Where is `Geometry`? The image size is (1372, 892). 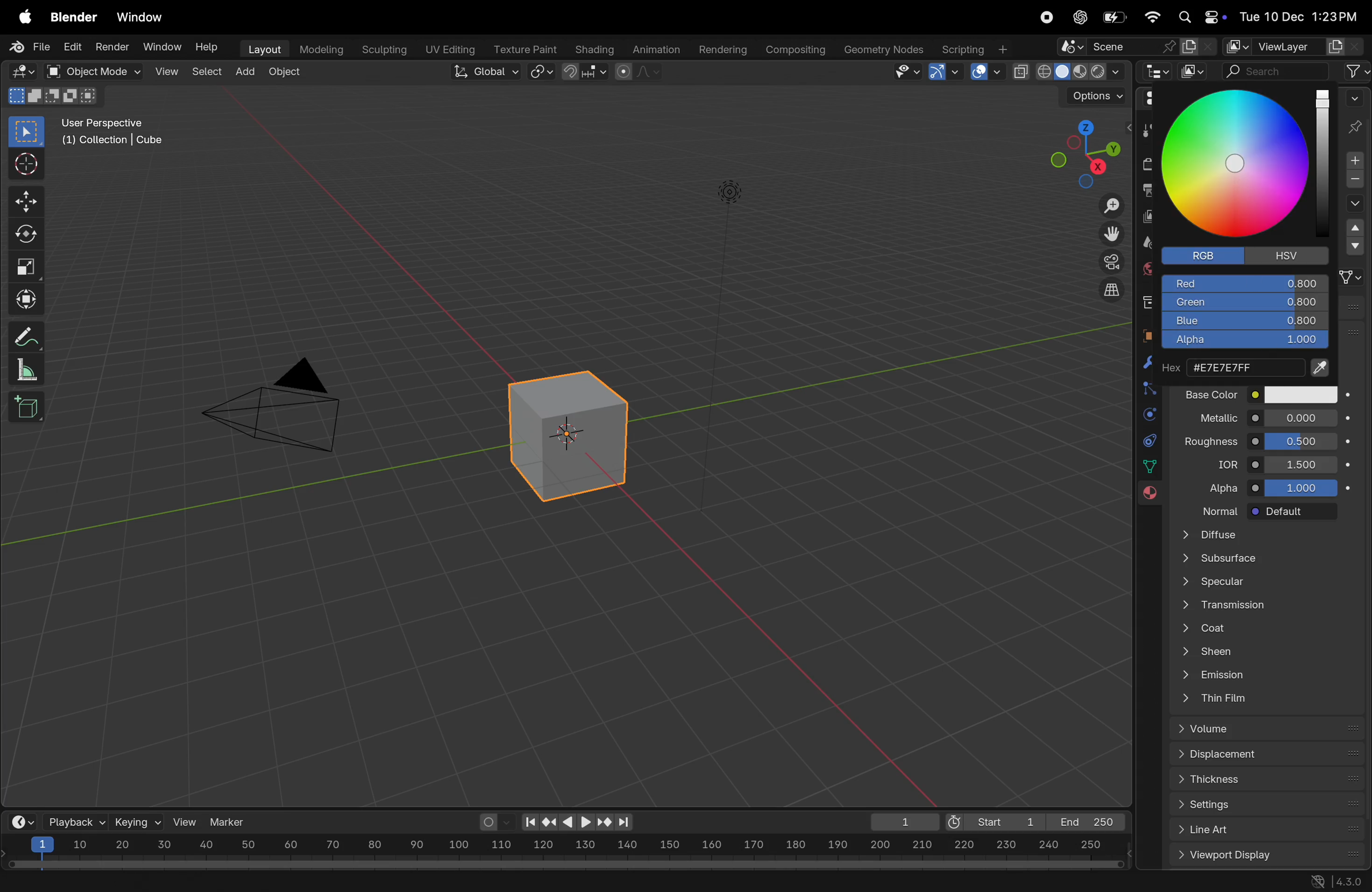 Geometry is located at coordinates (885, 50).